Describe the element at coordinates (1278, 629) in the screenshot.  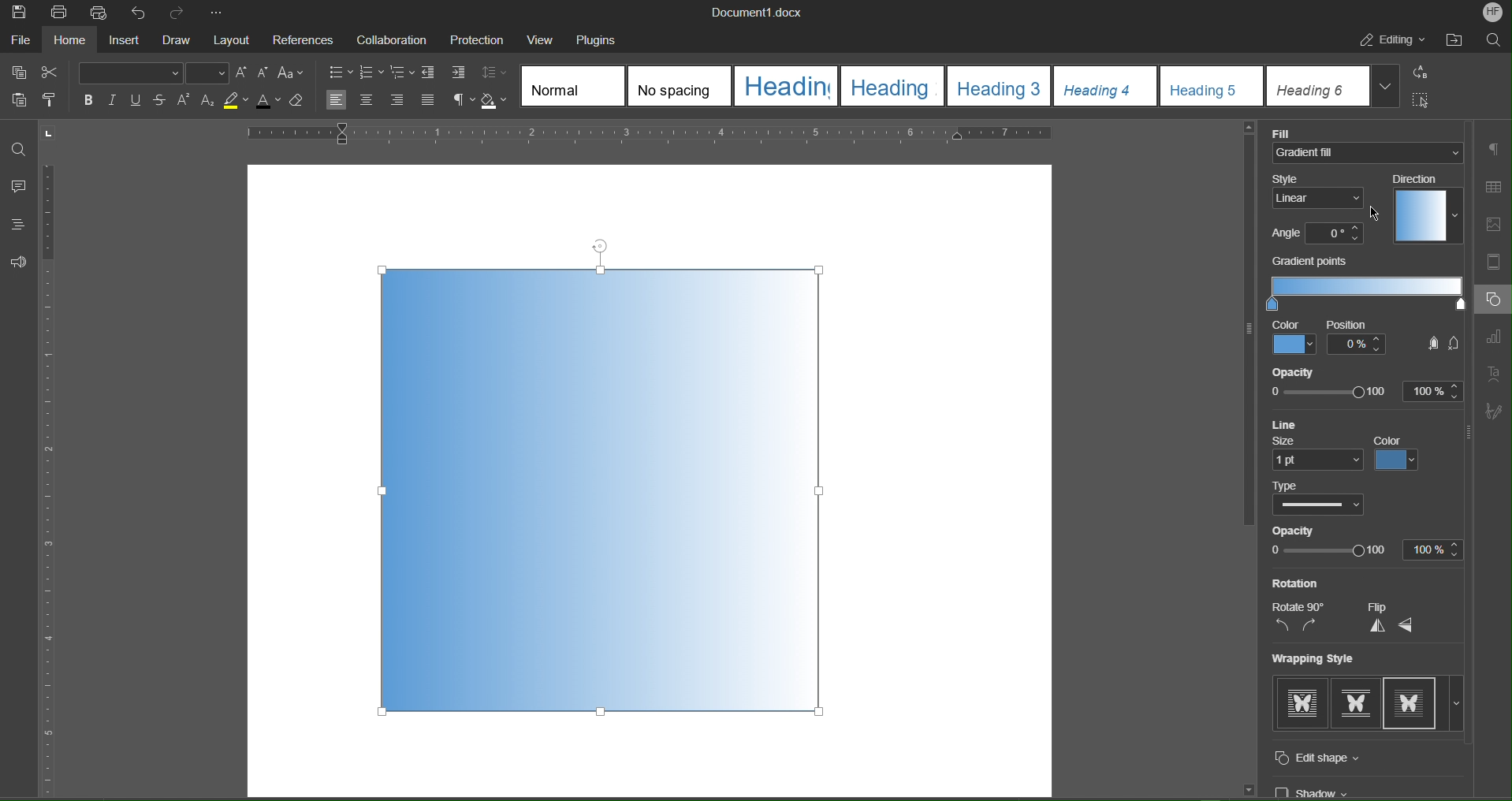
I see `90° left` at that location.